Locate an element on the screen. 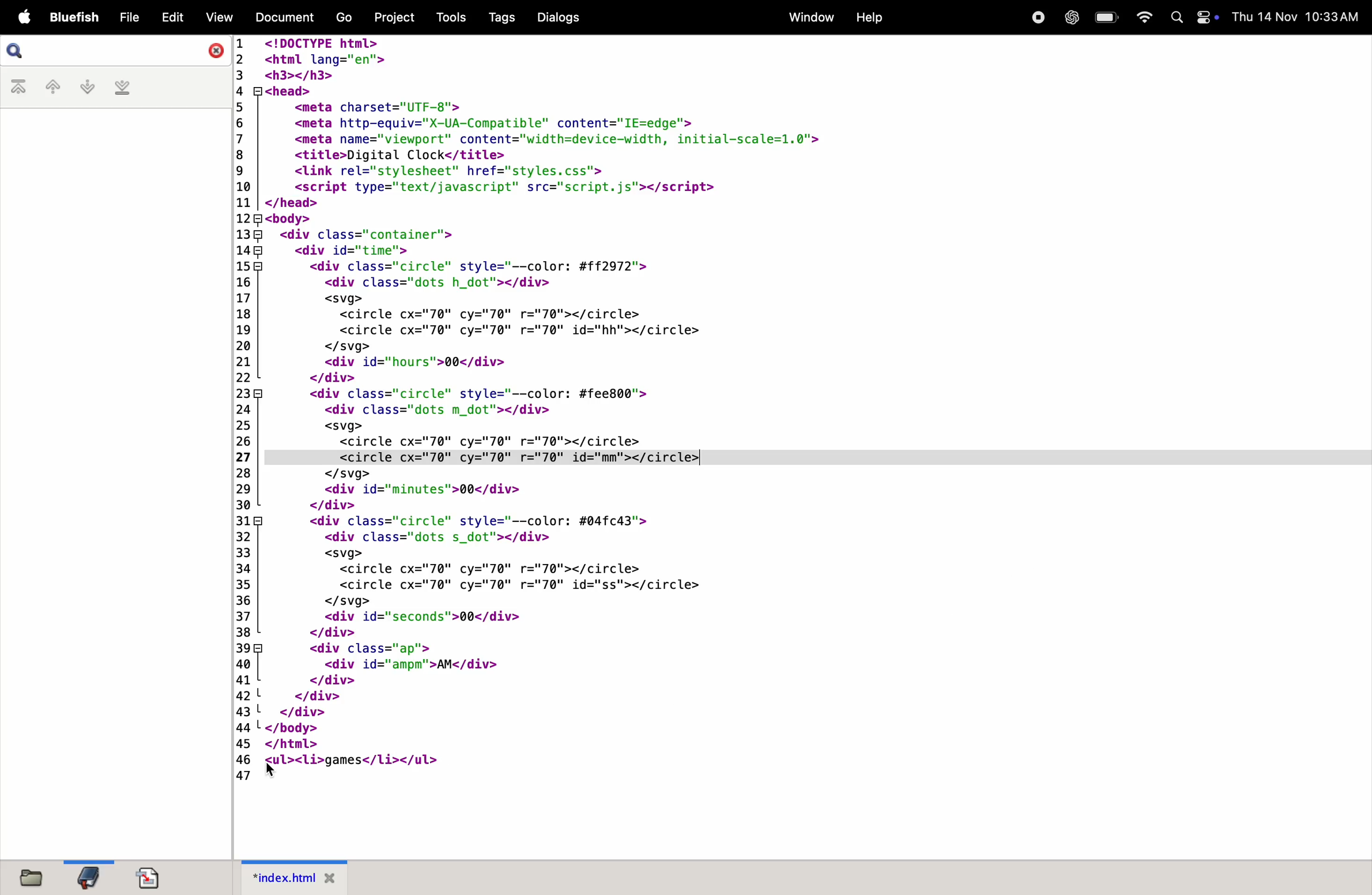 Image resolution: width=1372 pixels, height=895 pixels. document is located at coordinates (156, 877).